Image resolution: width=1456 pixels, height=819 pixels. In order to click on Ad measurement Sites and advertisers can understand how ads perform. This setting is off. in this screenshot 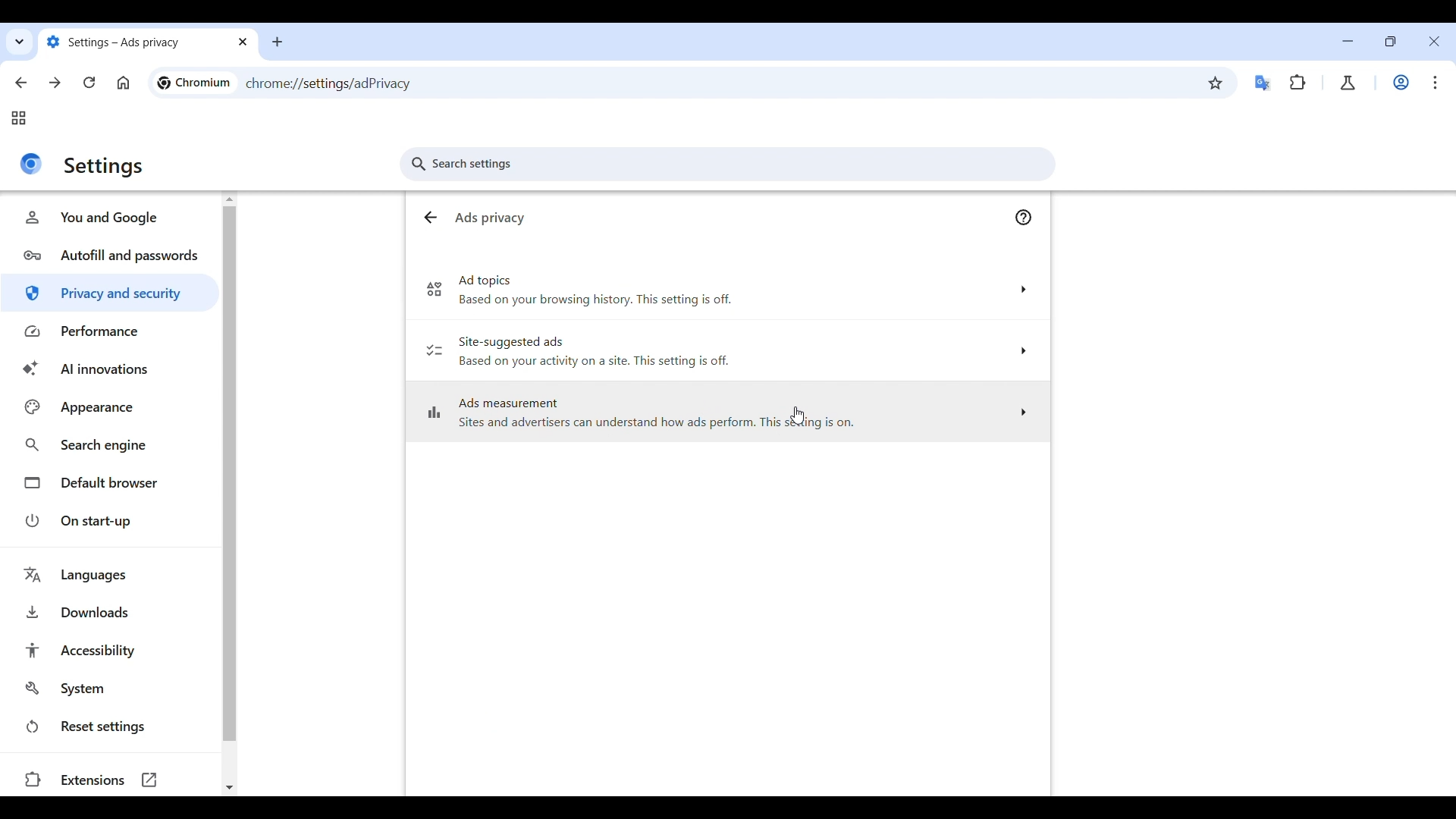, I will do `click(726, 416)`.